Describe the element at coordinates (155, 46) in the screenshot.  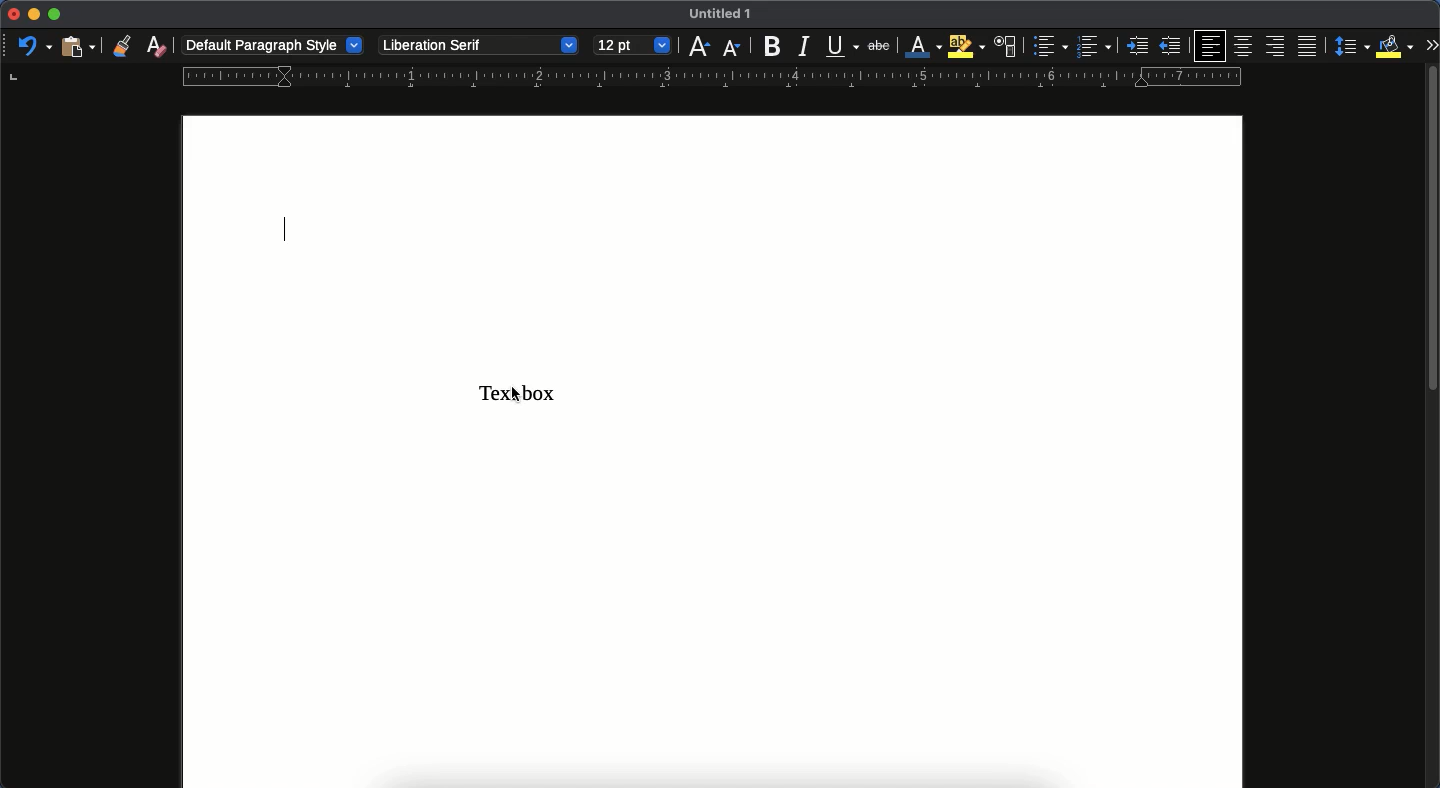
I see `clear formatting` at that location.